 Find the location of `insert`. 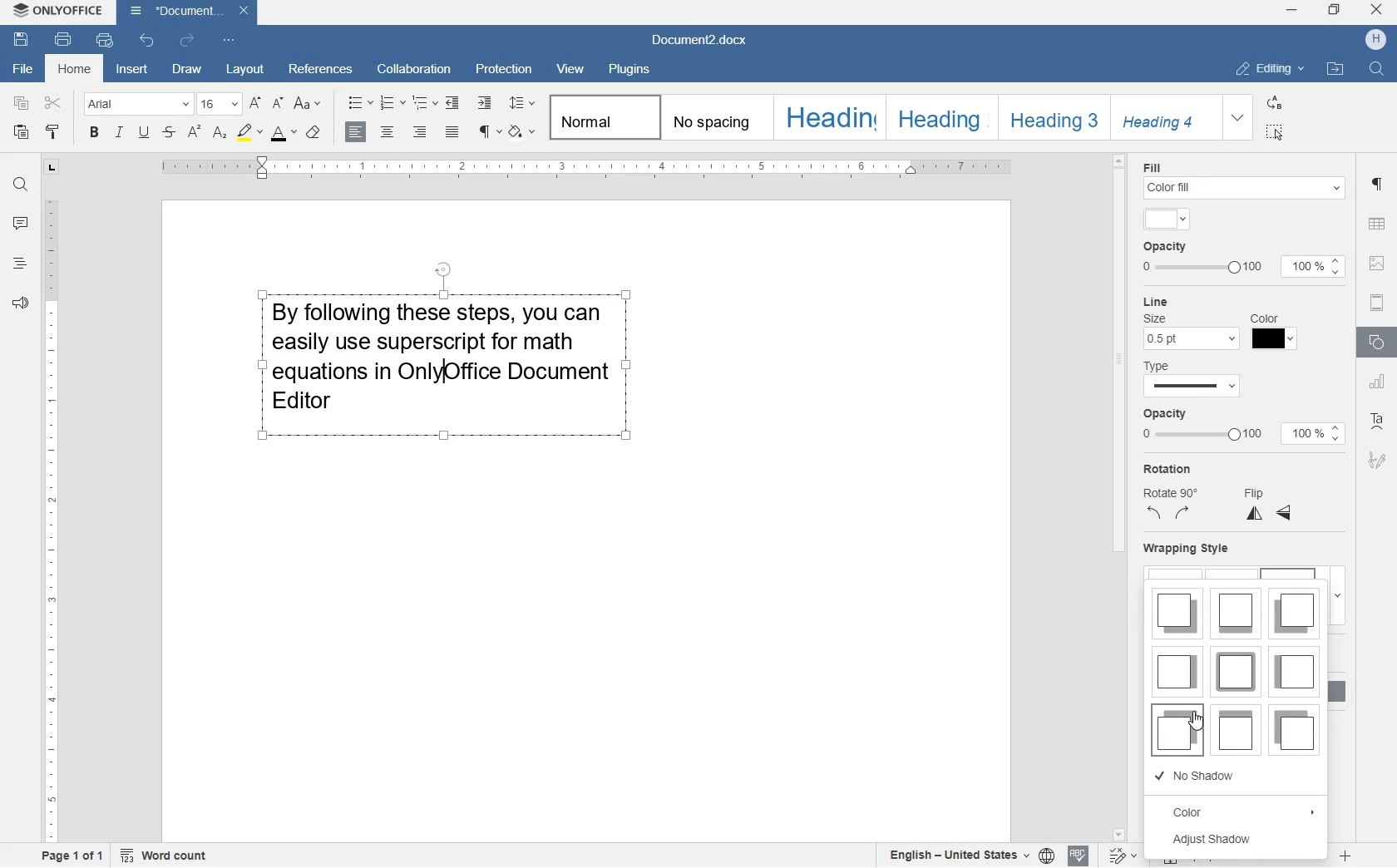

insert is located at coordinates (131, 70).